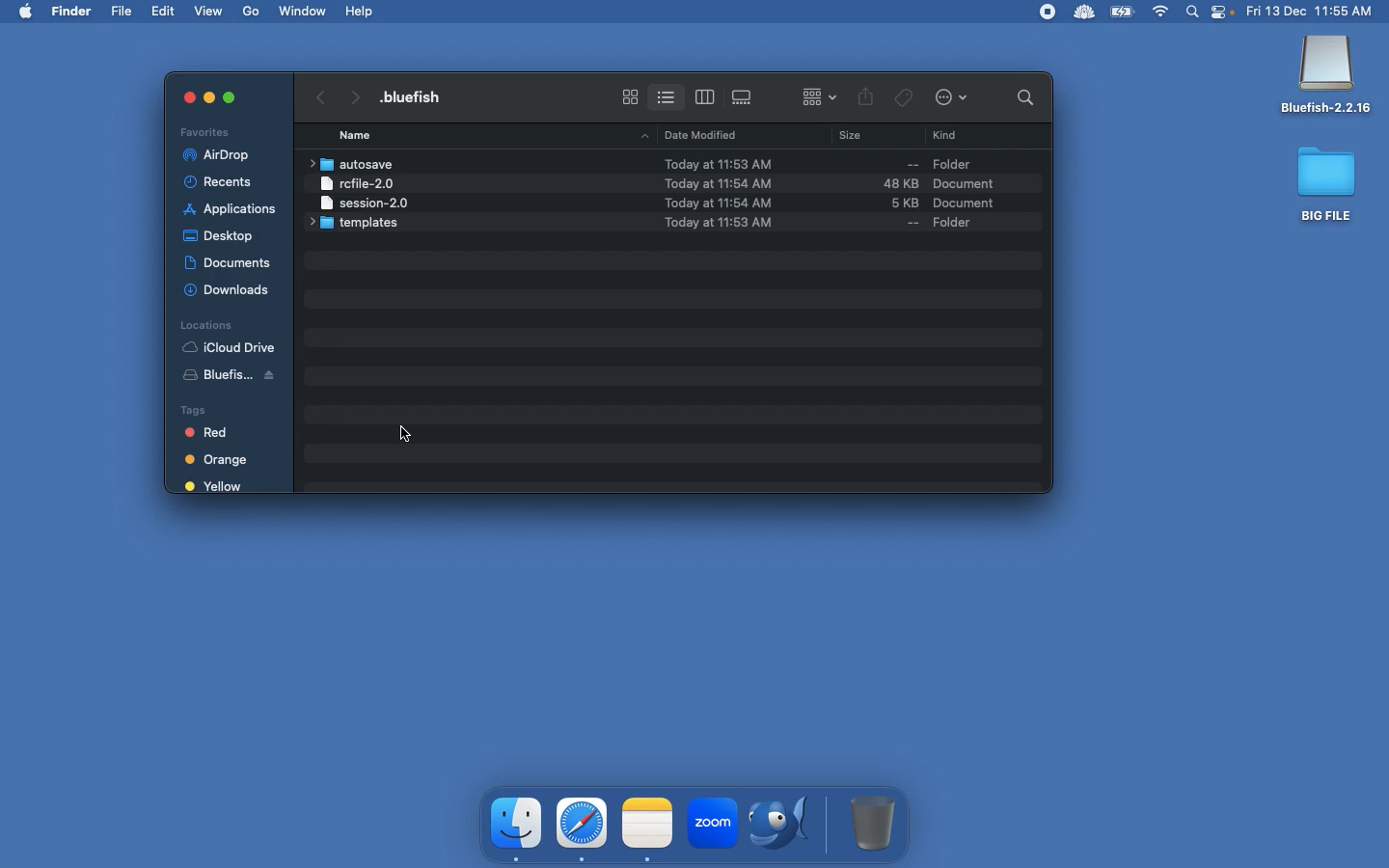  Describe the element at coordinates (904, 95) in the screenshot. I see `tags` at that location.